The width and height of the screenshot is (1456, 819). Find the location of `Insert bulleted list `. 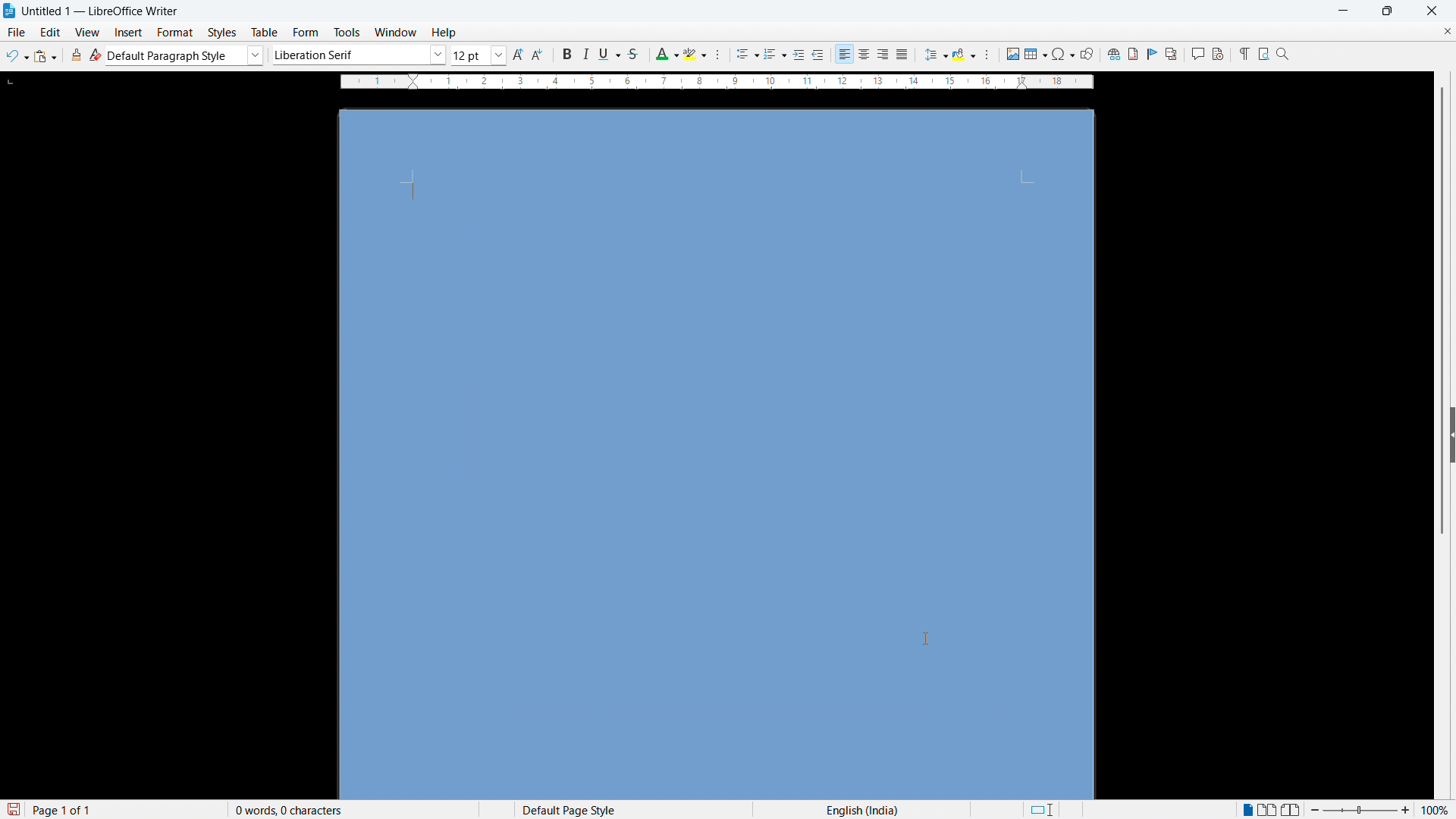

Insert bulleted list  is located at coordinates (748, 55).